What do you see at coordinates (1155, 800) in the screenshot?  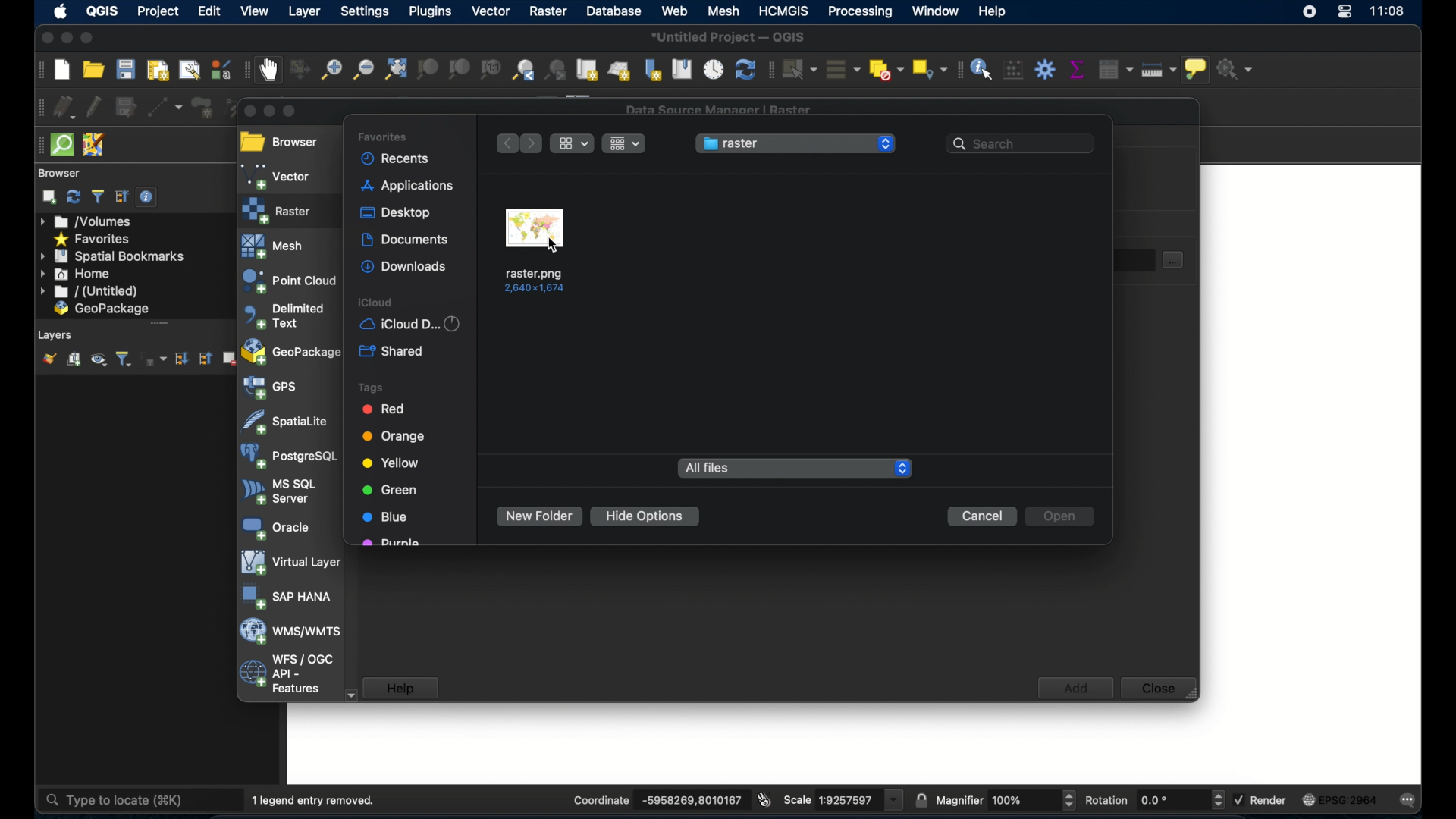 I see `rotations` at bounding box center [1155, 800].